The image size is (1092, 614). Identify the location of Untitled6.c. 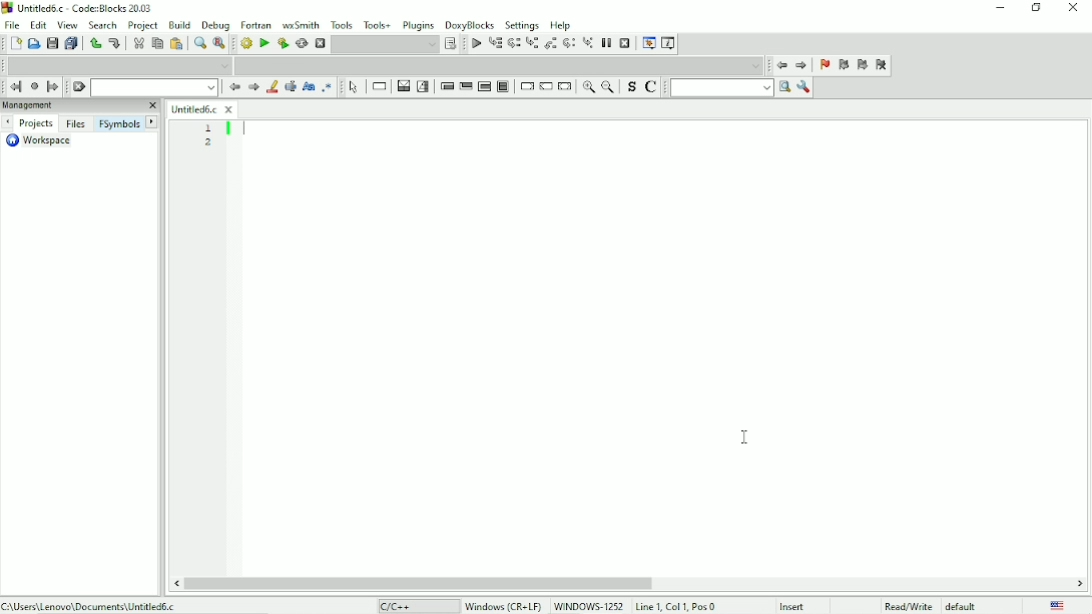
(202, 110).